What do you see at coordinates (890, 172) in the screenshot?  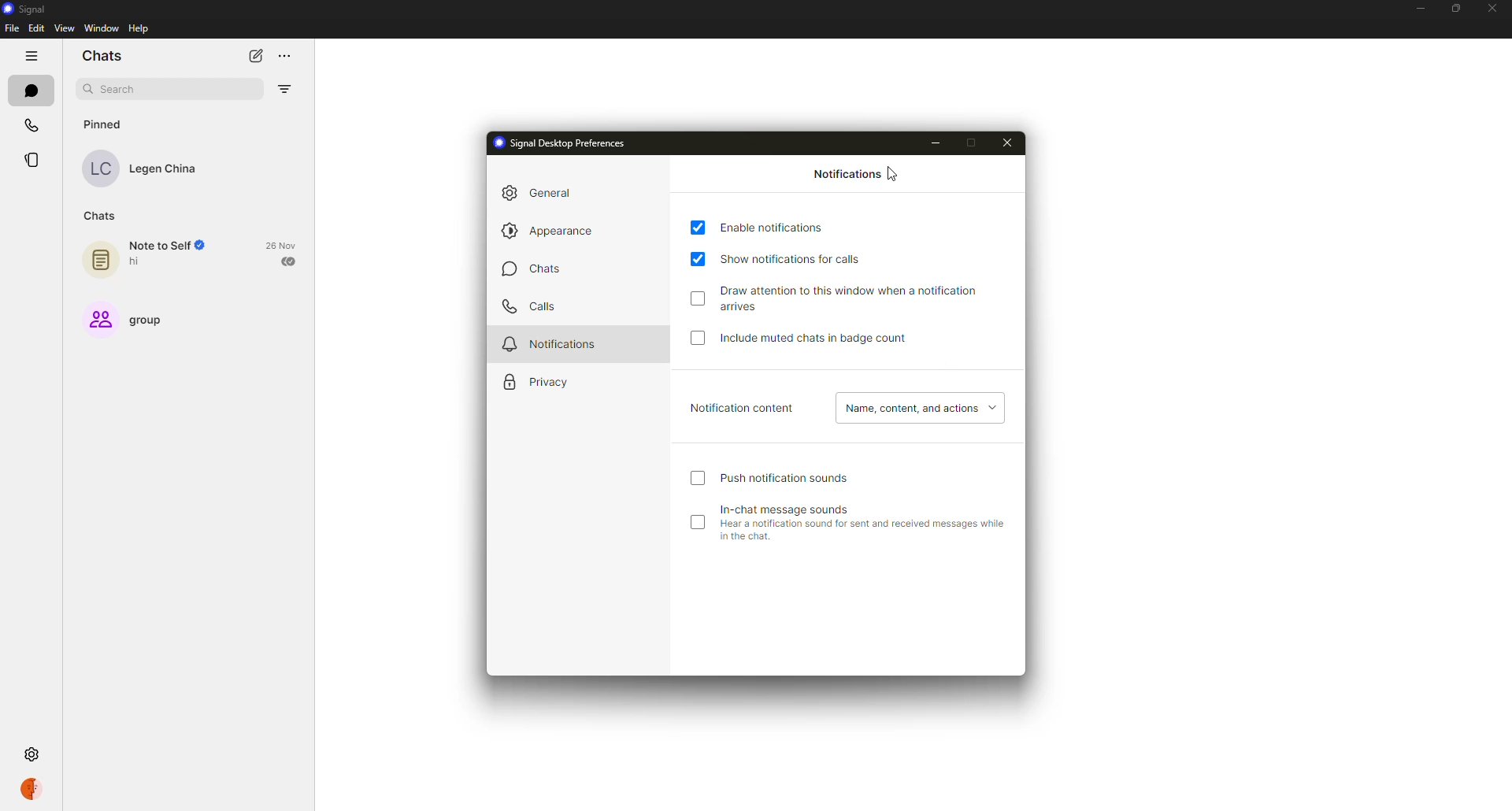 I see `cursor` at bounding box center [890, 172].